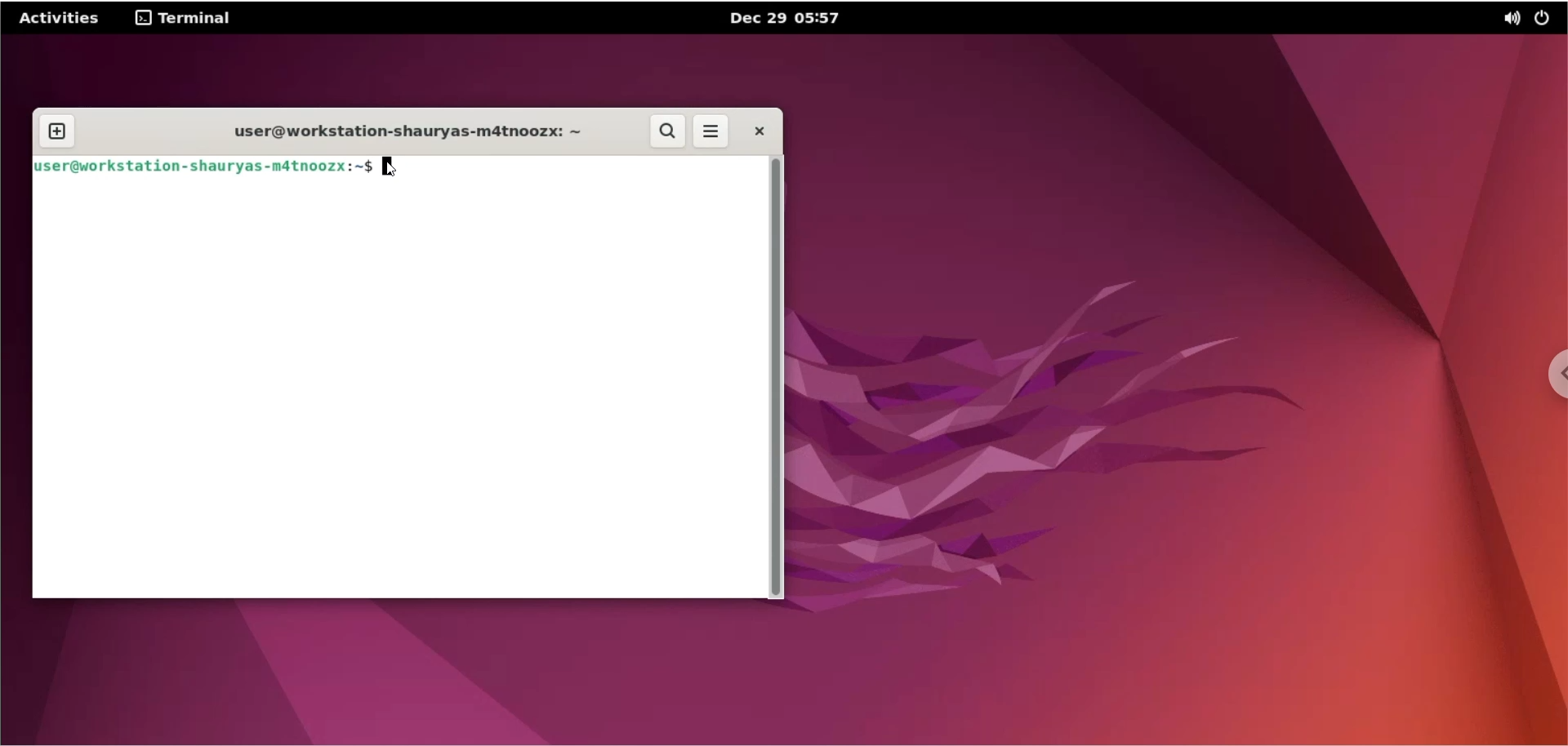  Describe the element at coordinates (758, 131) in the screenshot. I see `close` at that location.